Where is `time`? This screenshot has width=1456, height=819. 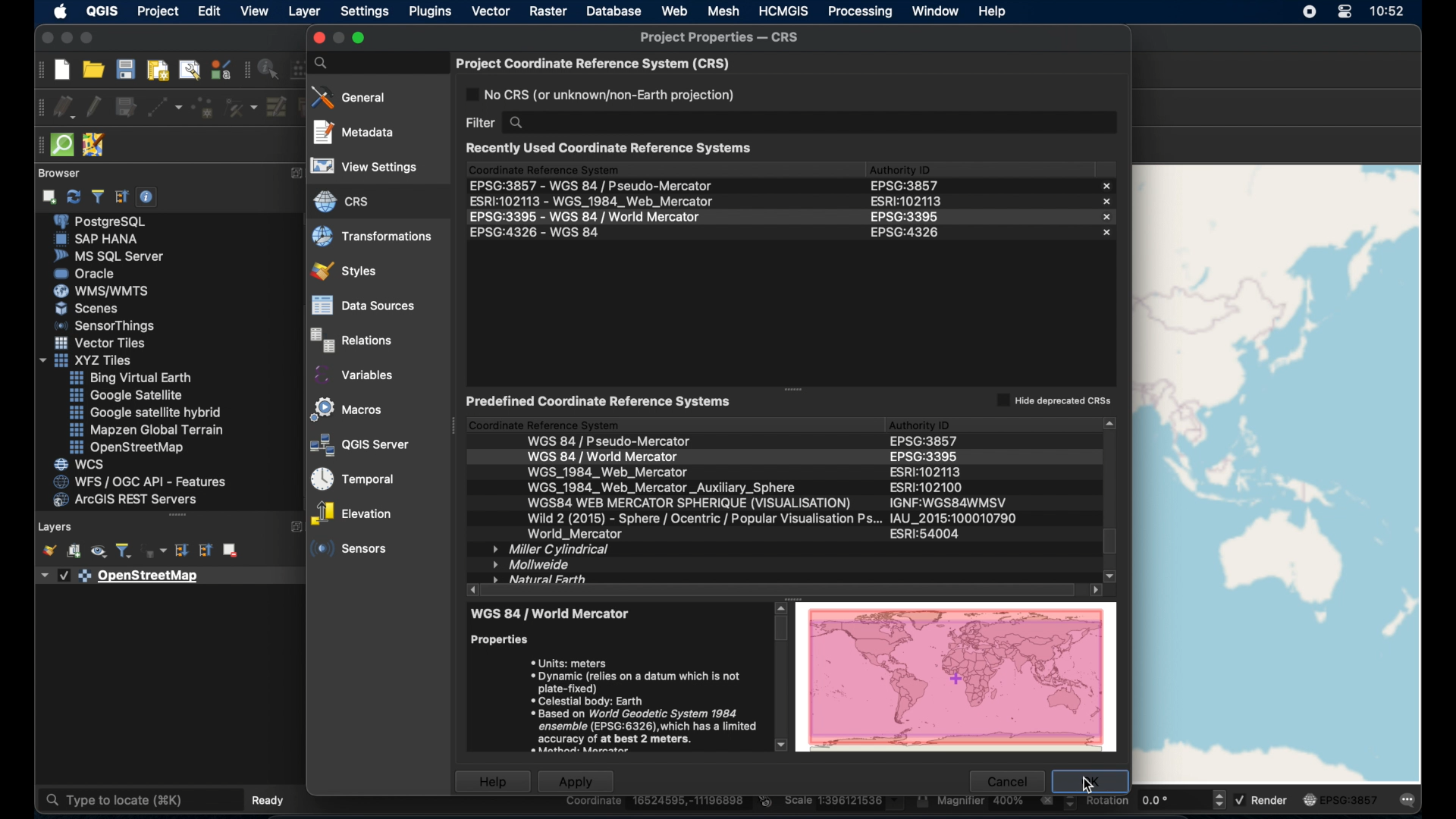
time is located at coordinates (1390, 11).